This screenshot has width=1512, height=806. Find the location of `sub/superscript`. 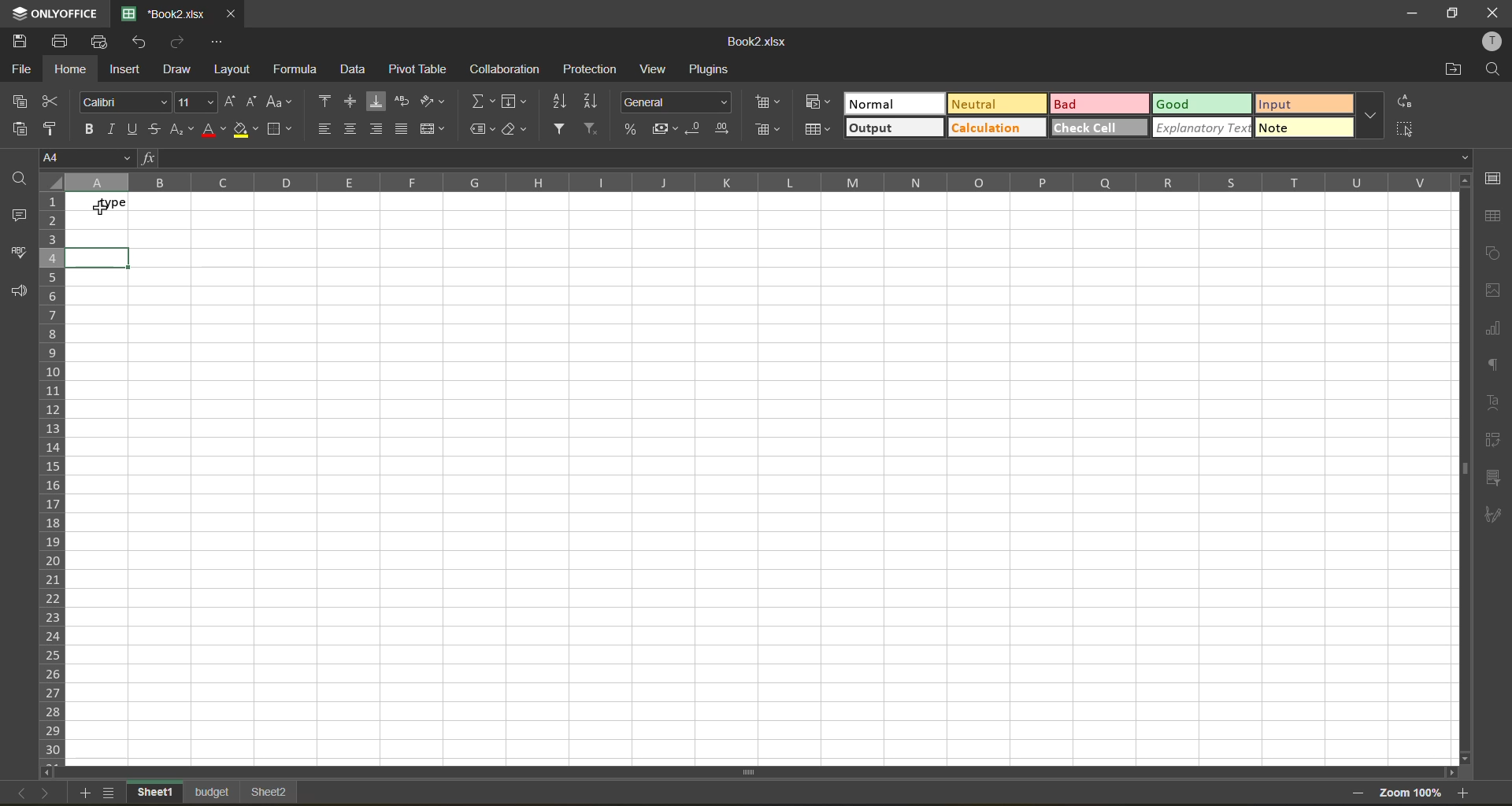

sub/superscript is located at coordinates (180, 129).